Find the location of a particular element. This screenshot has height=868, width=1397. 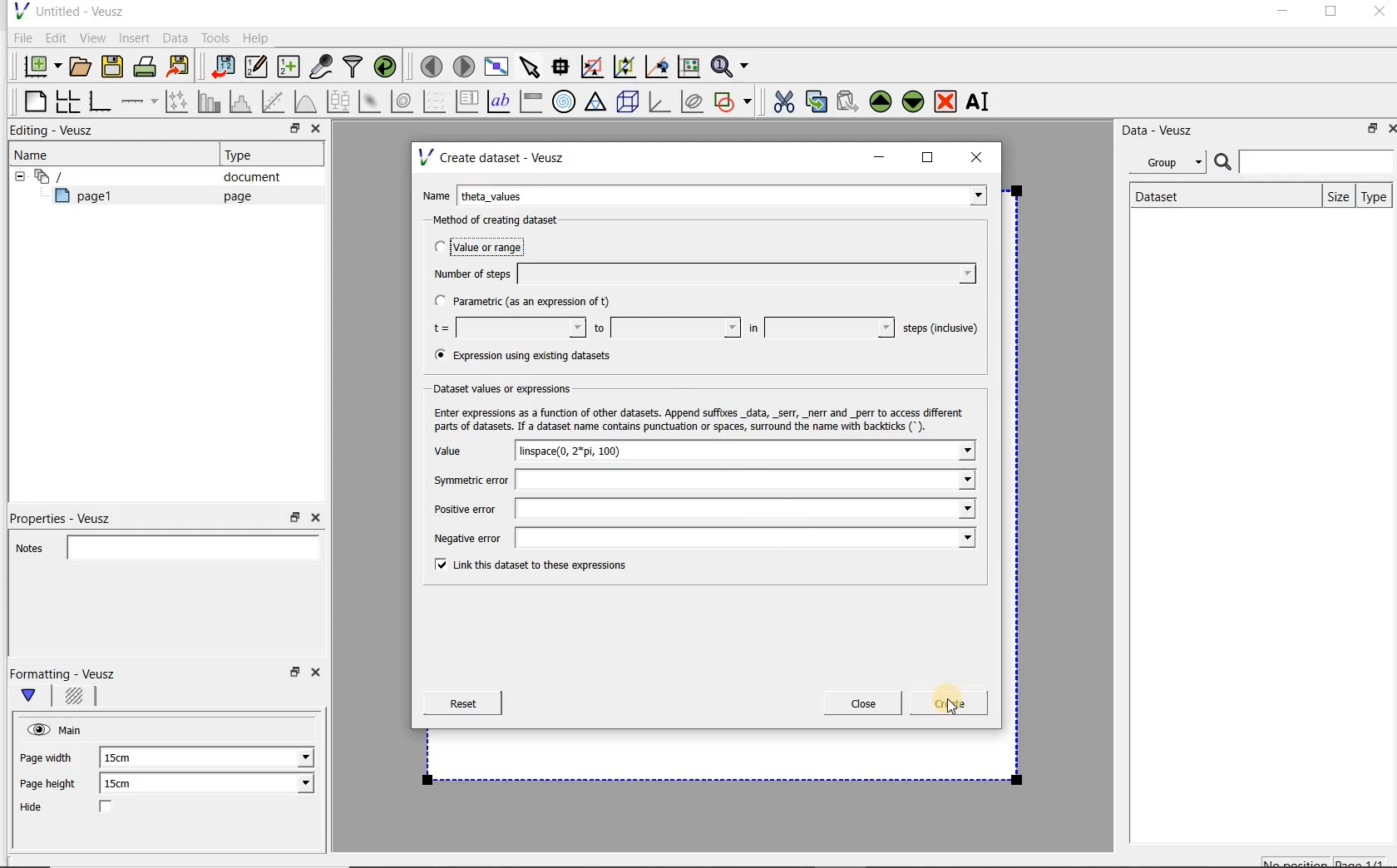

size is located at coordinates (1335, 195).